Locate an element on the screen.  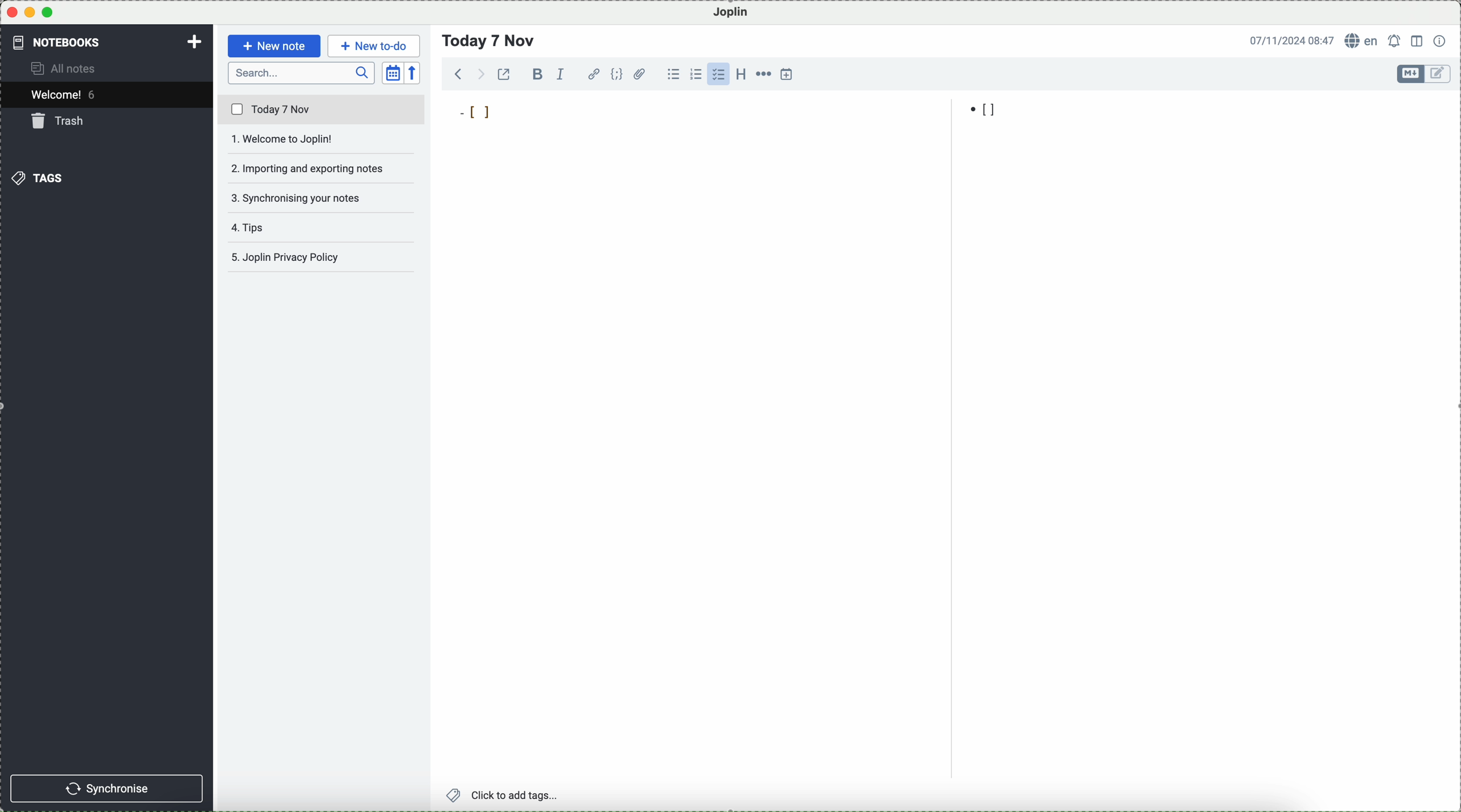
toggle editors is located at coordinates (1411, 74).